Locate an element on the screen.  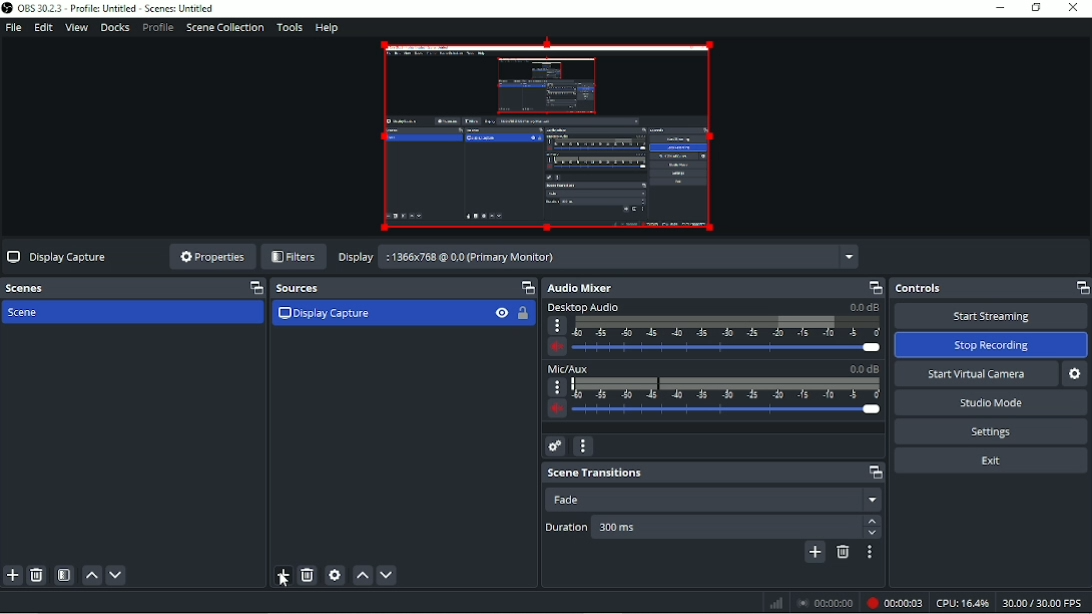
Transition properties is located at coordinates (870, 552).